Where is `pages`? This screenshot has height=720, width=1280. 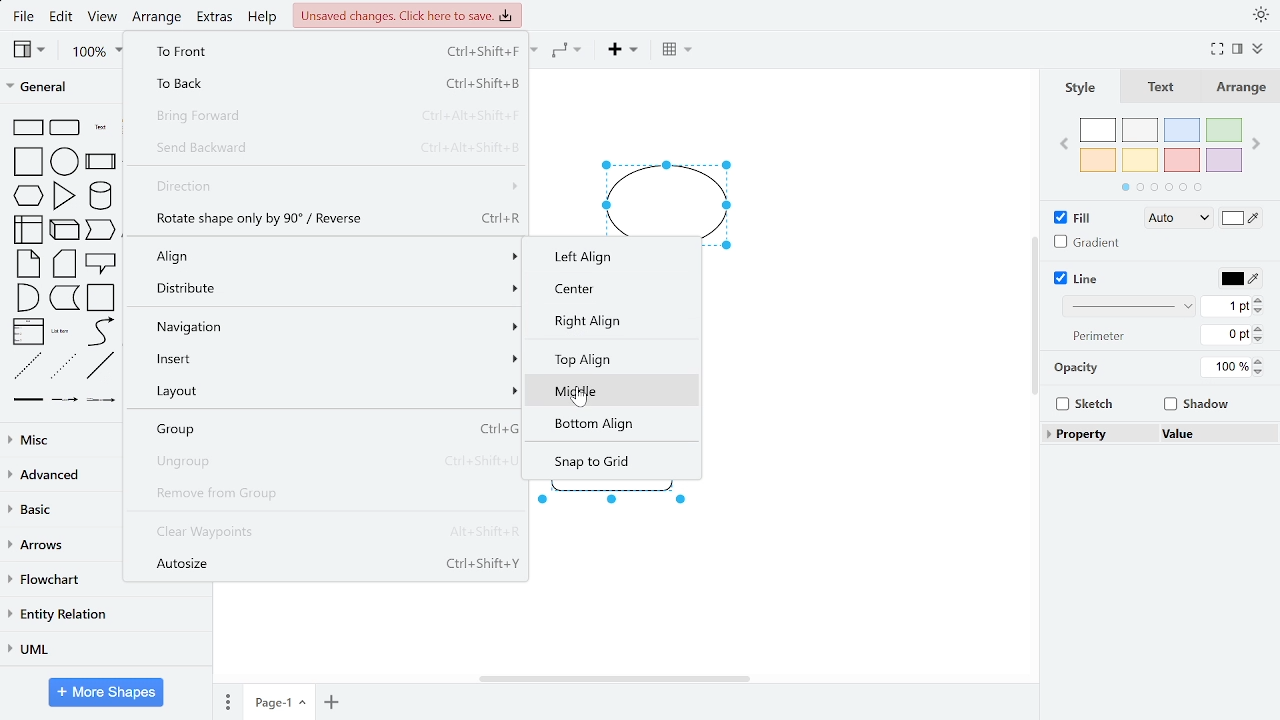
pages is located at coordinates (225, 702).